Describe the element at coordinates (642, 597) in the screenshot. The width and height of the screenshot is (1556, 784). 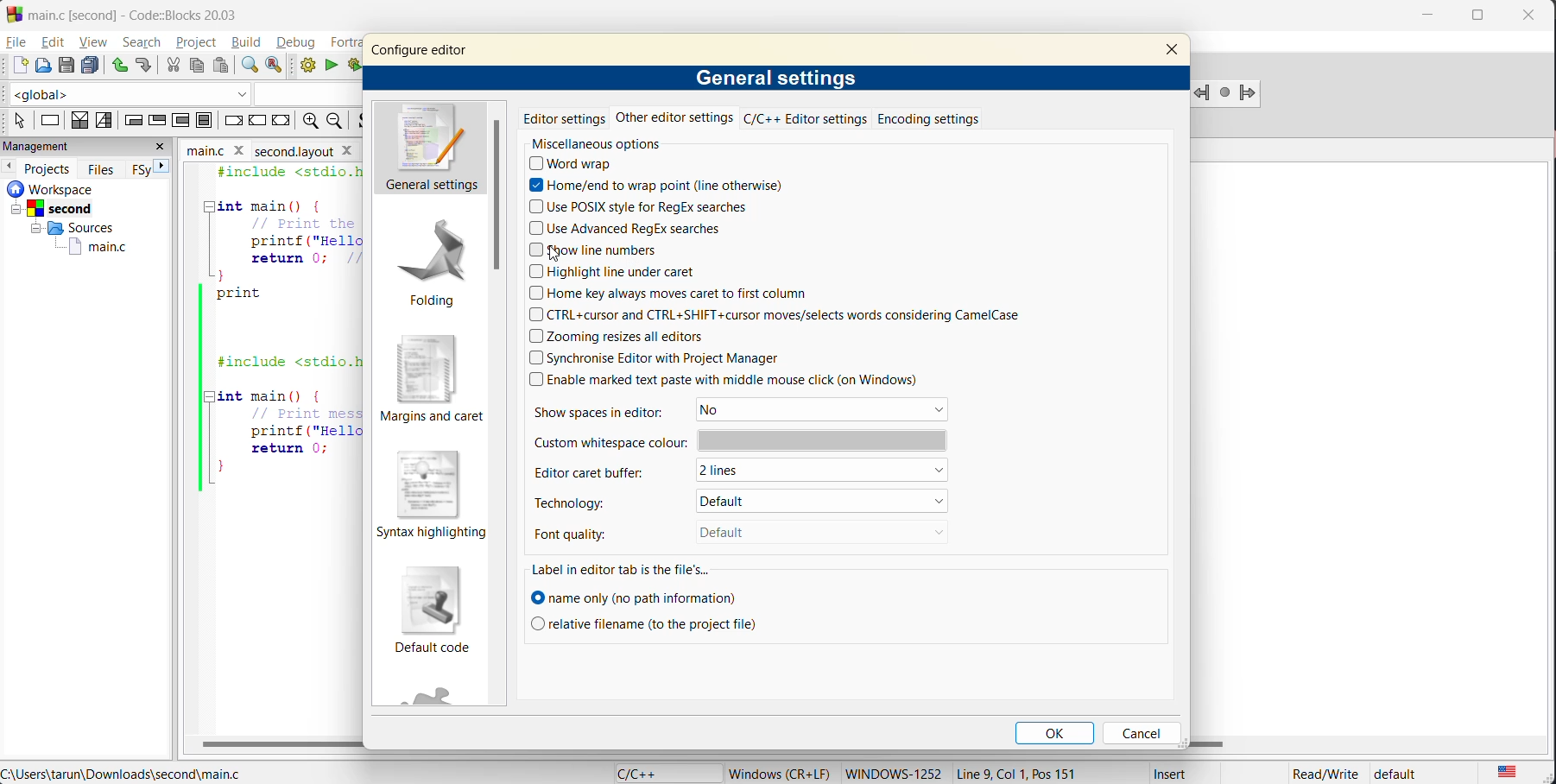
I see `name only (no path information)` at that location.